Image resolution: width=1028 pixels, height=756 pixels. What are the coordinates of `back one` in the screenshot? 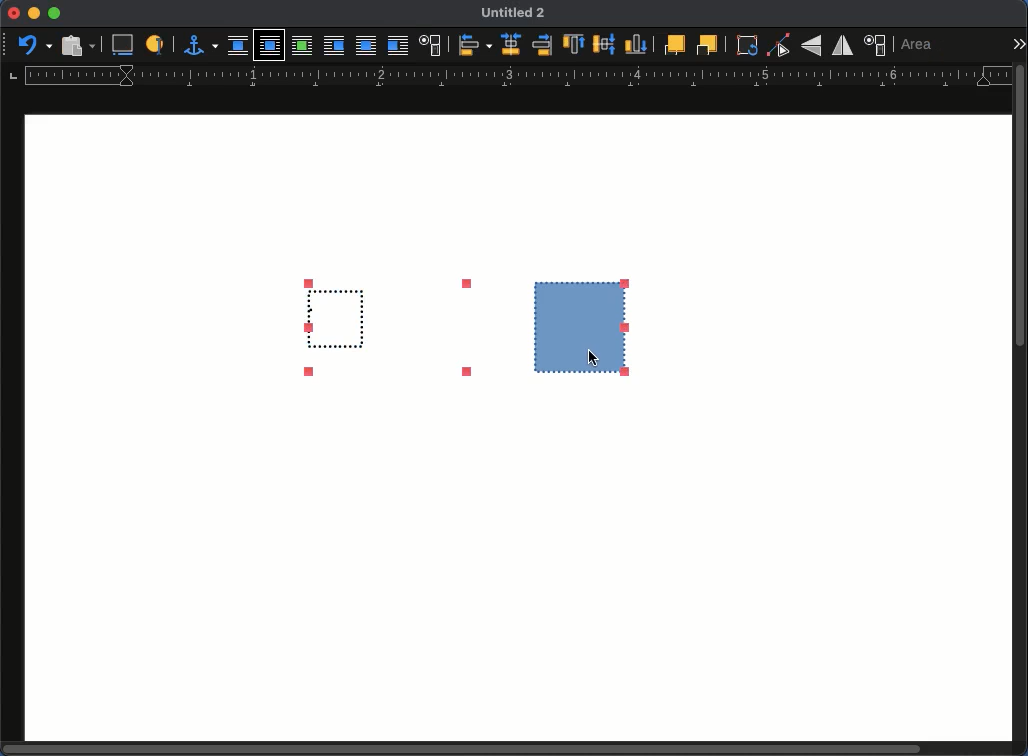 It's located at (707, 46).